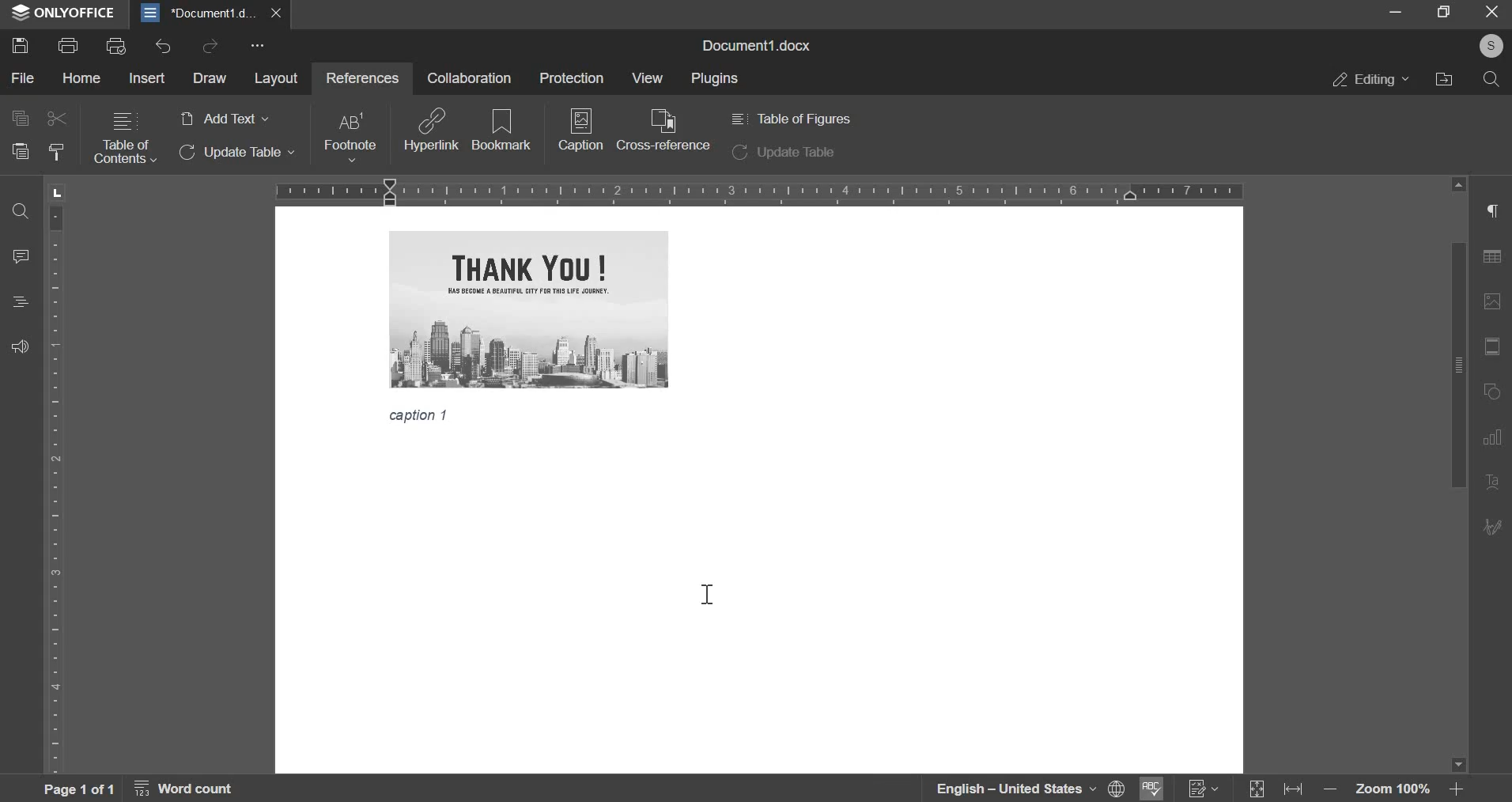 The image size is (1512, 802). I want to click on caption, so click(581, 135).